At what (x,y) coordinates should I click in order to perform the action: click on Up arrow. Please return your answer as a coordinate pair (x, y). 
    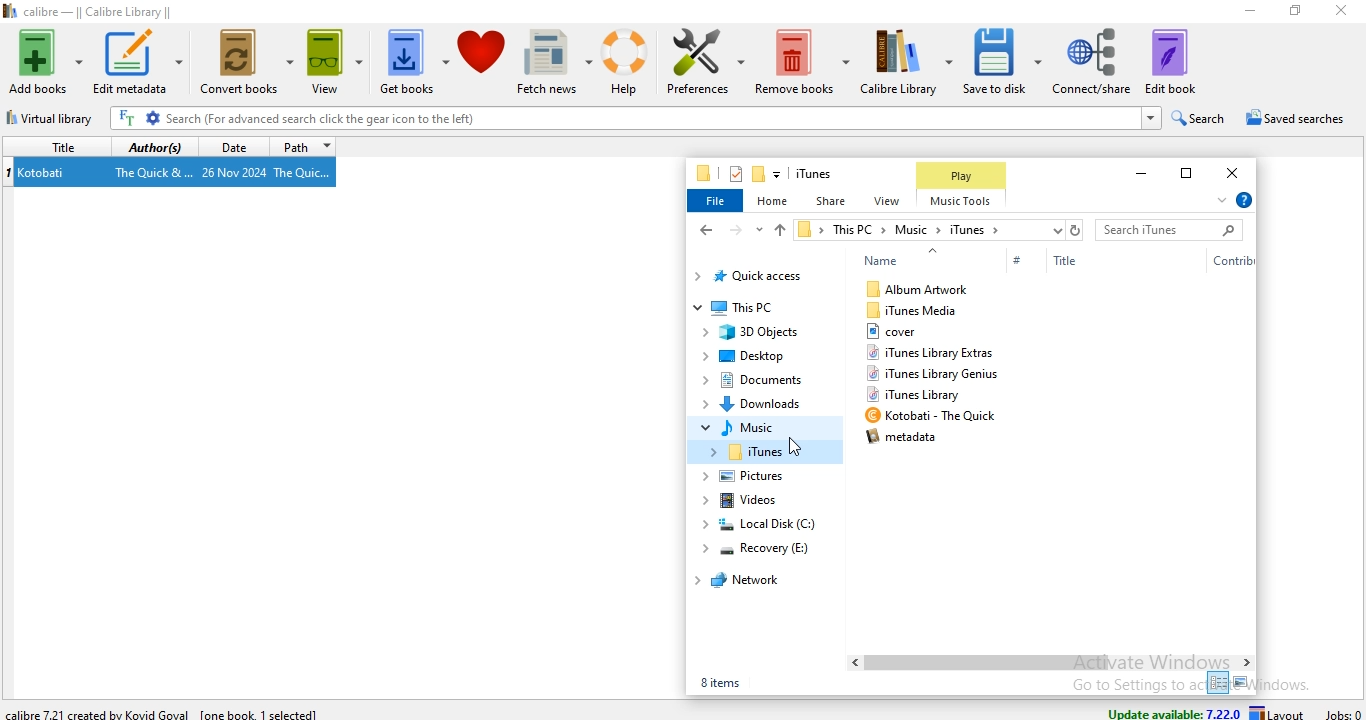
    Looking at the image, I should click on (936, 251).